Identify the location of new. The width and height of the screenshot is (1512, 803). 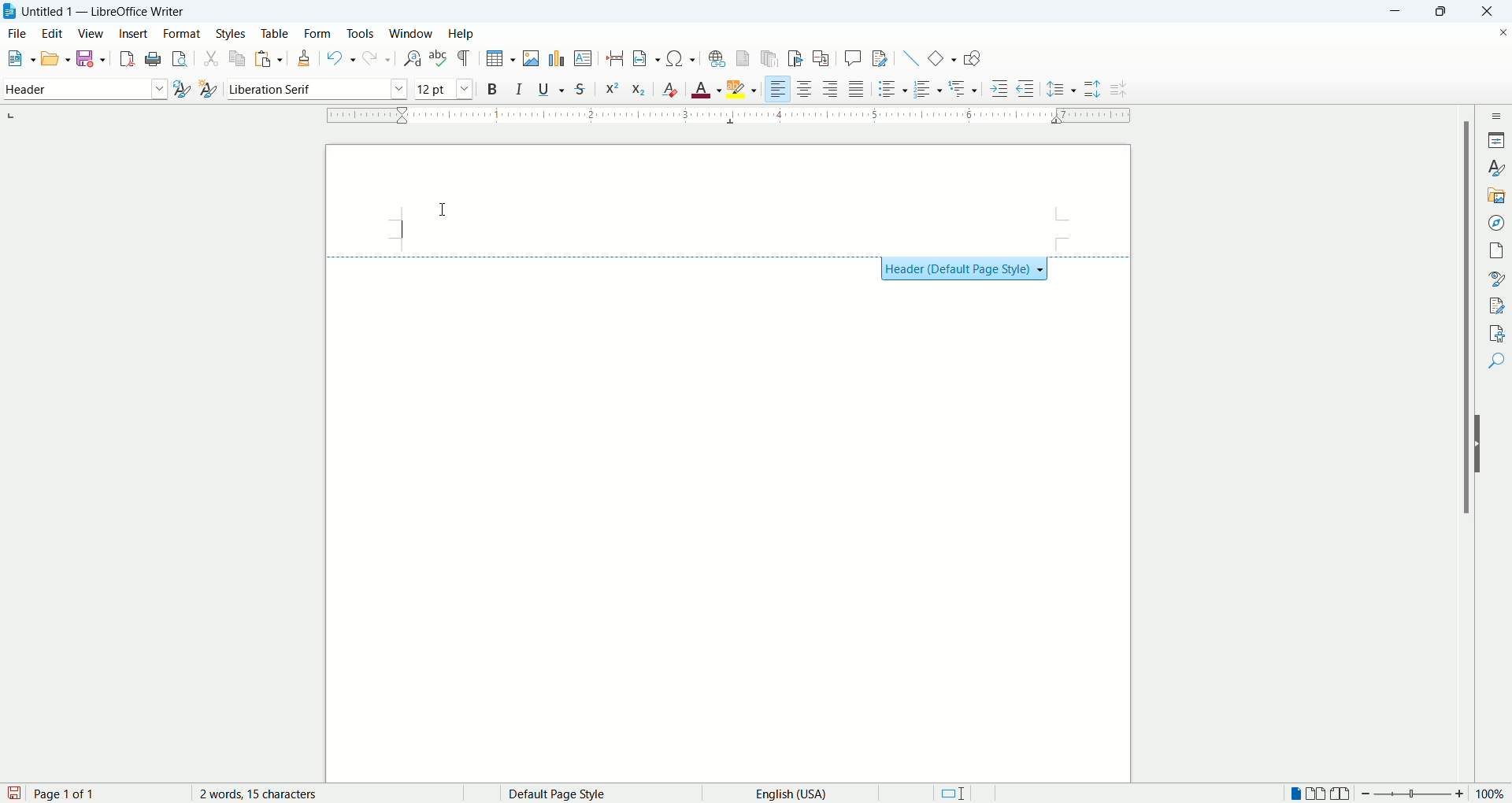
(17, 58).